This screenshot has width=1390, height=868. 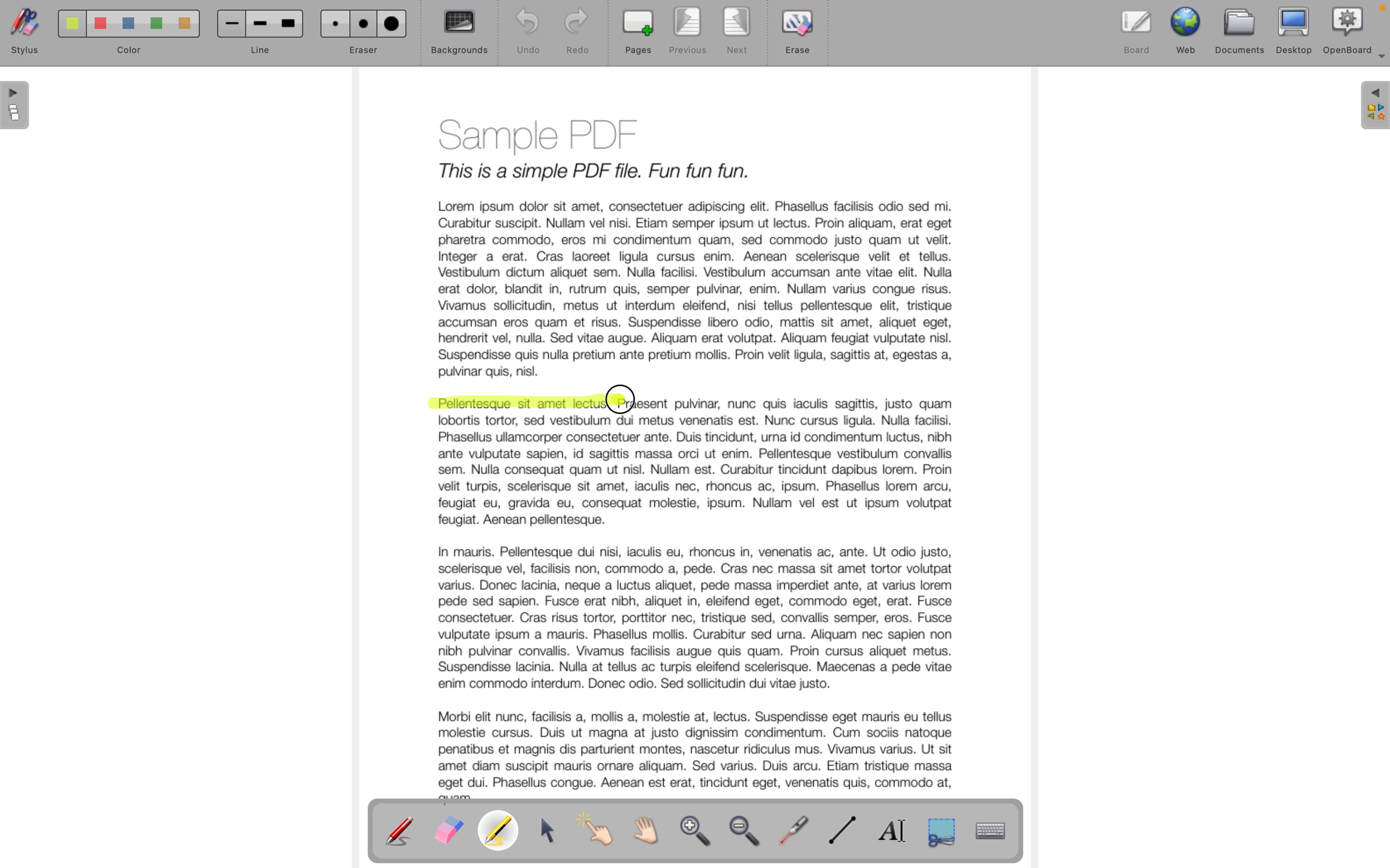 What do you see at coordinates (897, 831) in the screenshot?
I see `write text` at bounding box center [897, 831].